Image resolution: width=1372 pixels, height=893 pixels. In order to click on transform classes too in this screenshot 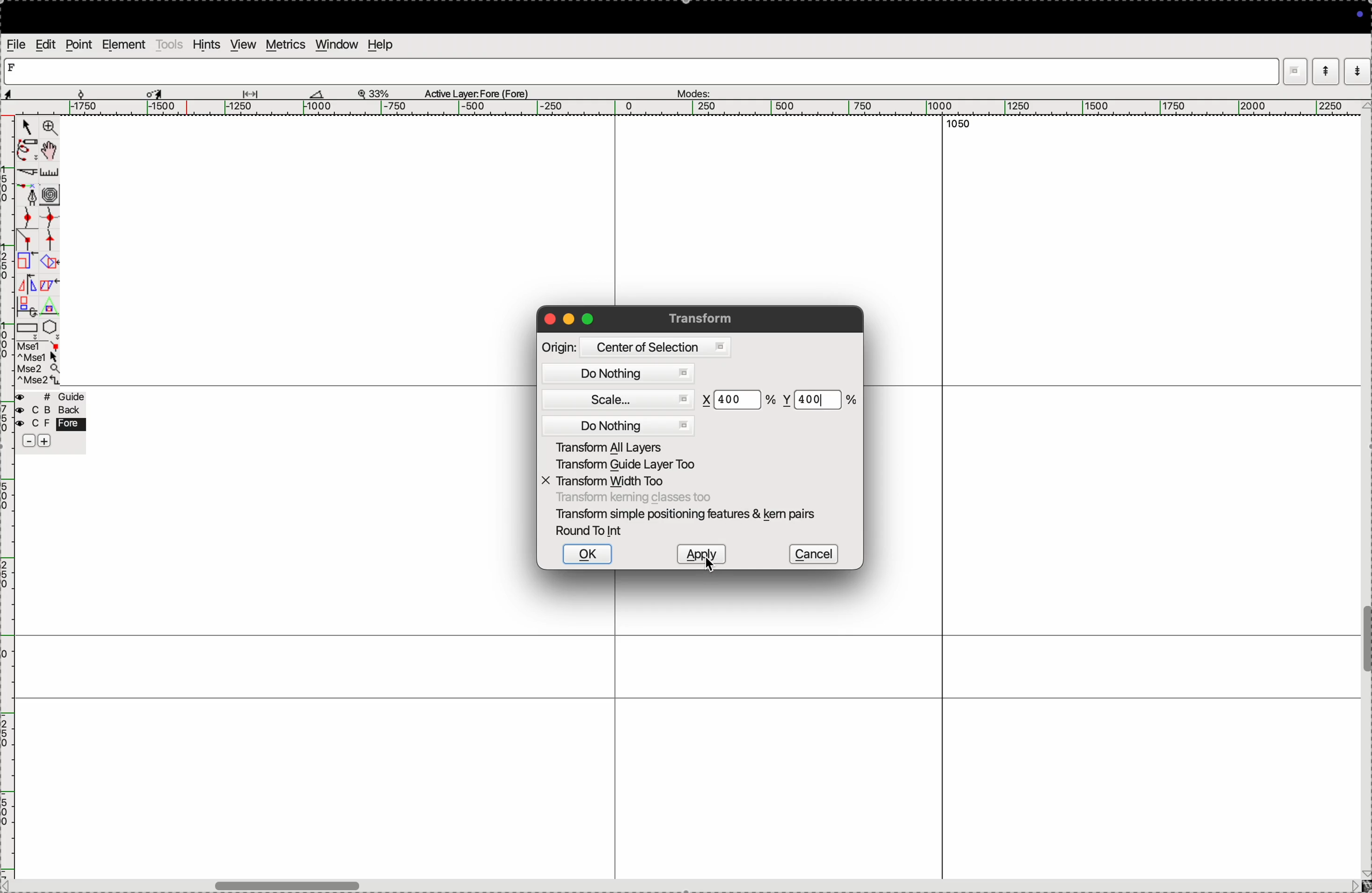, I will do `click(633, 498)`.